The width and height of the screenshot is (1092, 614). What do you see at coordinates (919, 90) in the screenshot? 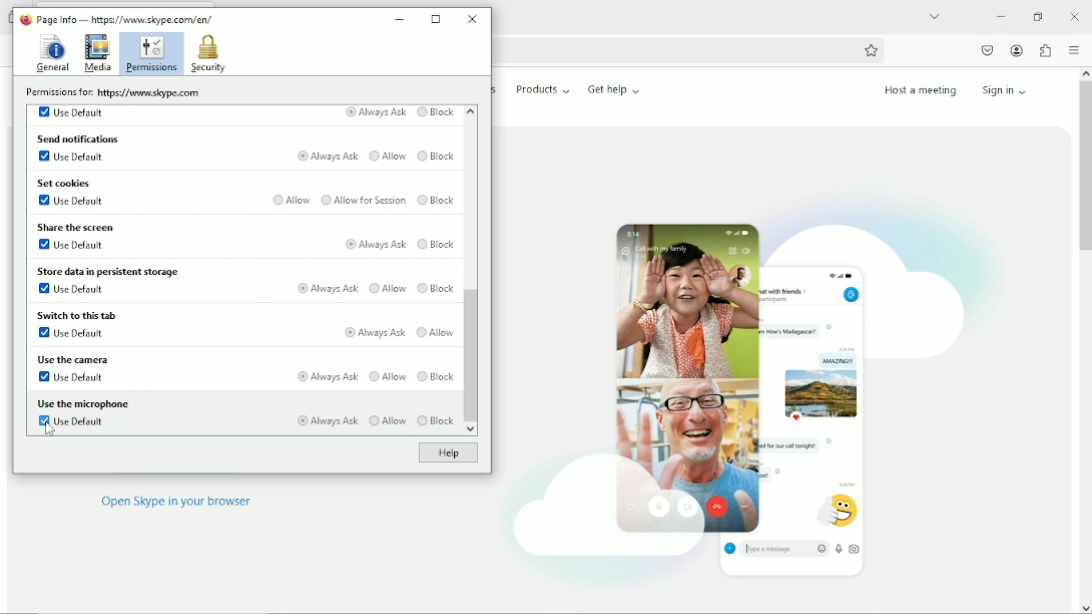
I see `Host a meeting` at bounding box center [919, 90].